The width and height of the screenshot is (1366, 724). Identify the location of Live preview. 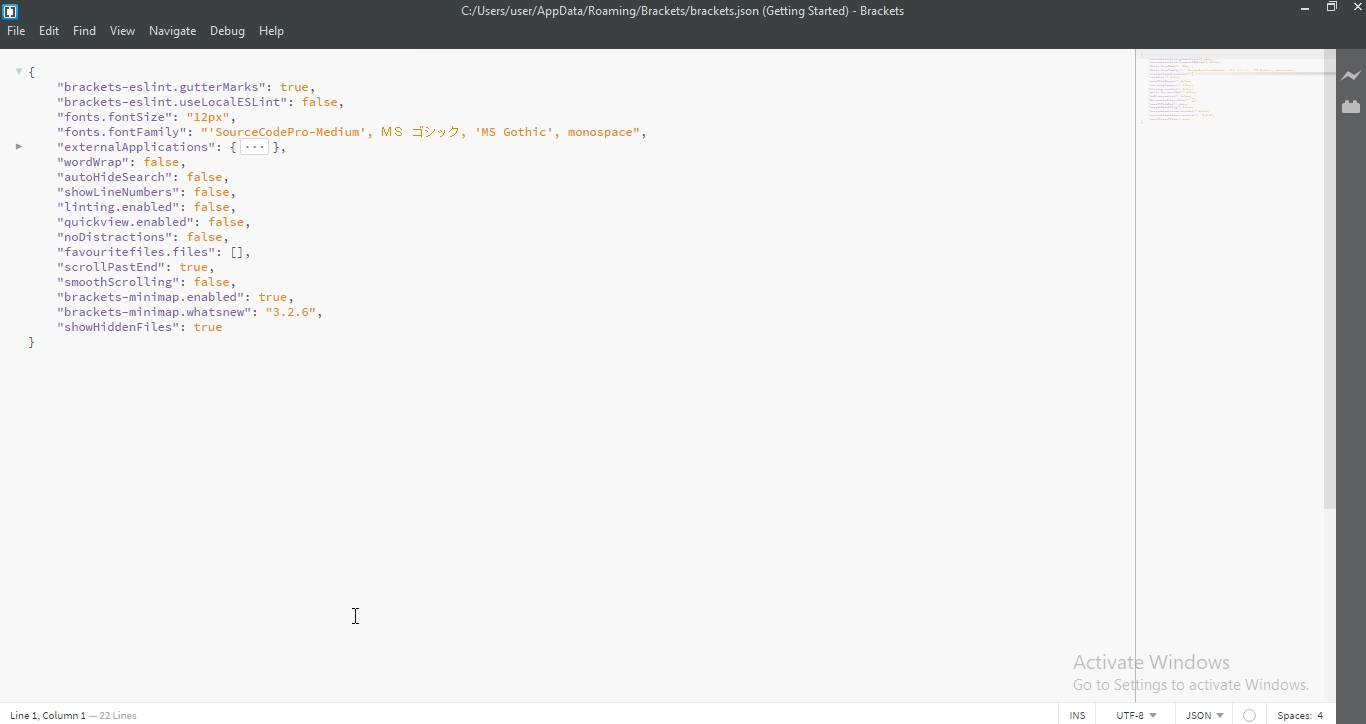
(1353, 74).